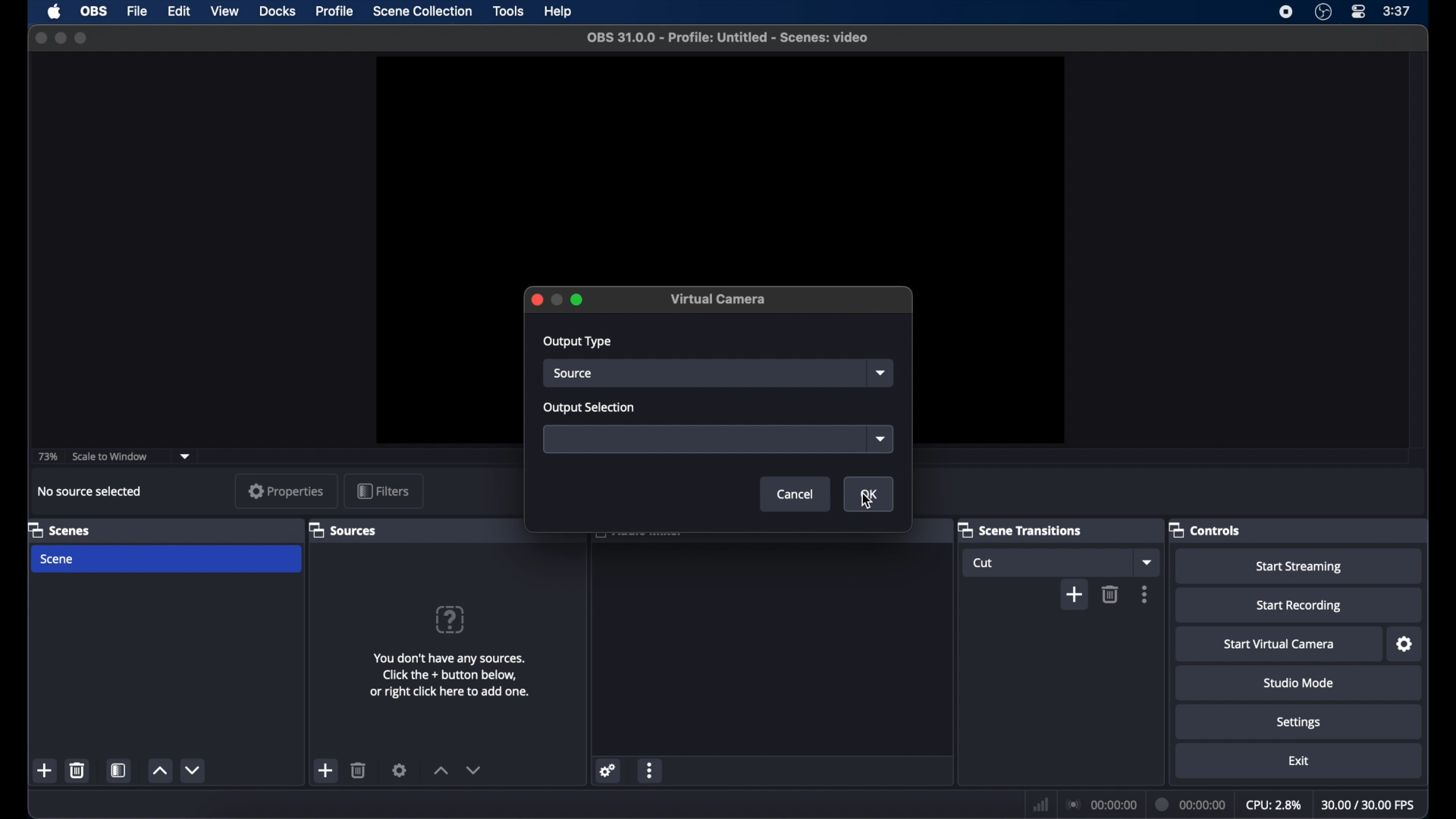 This screenshot has width=1456, height=819. What do you see at coordinates (192, 770) in the screenshot?
I see `decrement` at bounding box center [192, 770].